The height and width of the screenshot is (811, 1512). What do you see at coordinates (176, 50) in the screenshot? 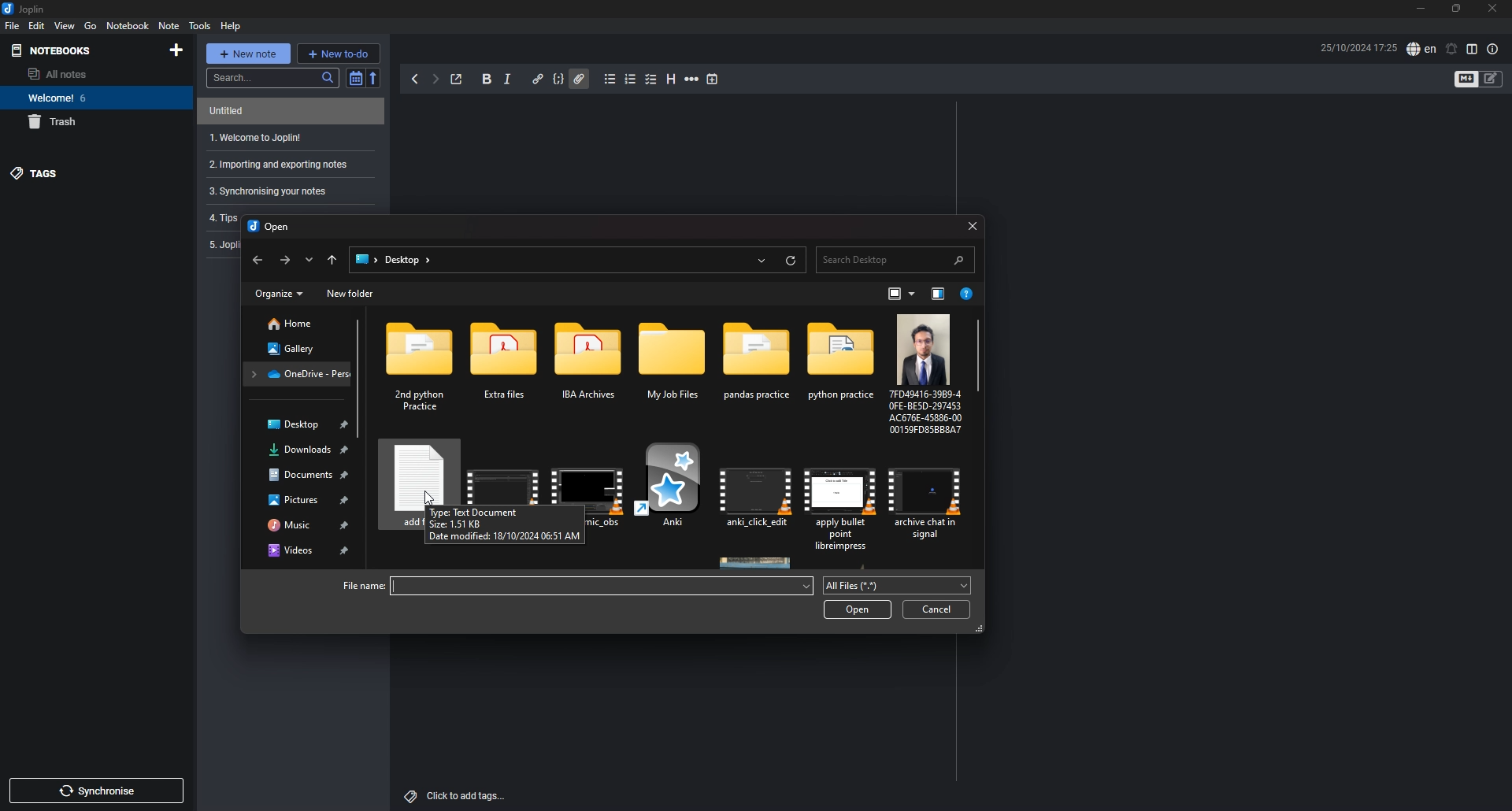
I see `add notebook` at bounding box center [176, 50].